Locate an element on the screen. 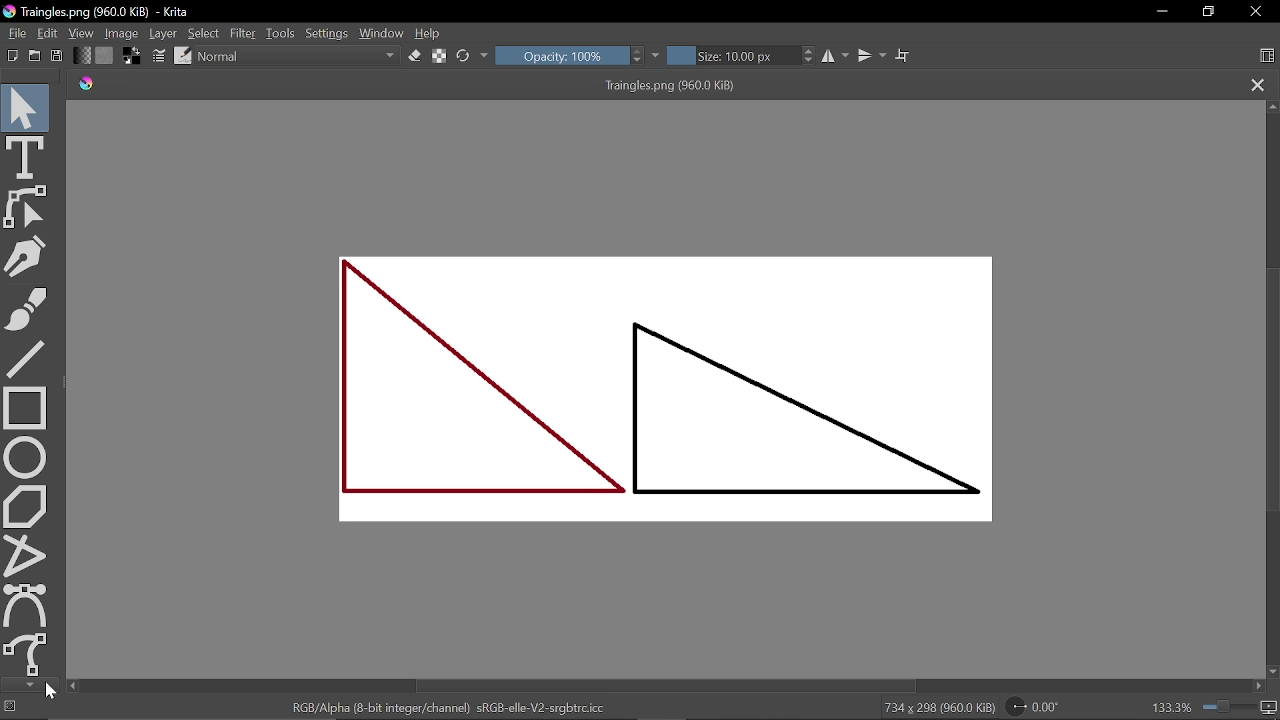 The width and height of the screenshot is (1280, 720). 734 x 298 (960.0 KiB) is located at coordinates (936, 708).